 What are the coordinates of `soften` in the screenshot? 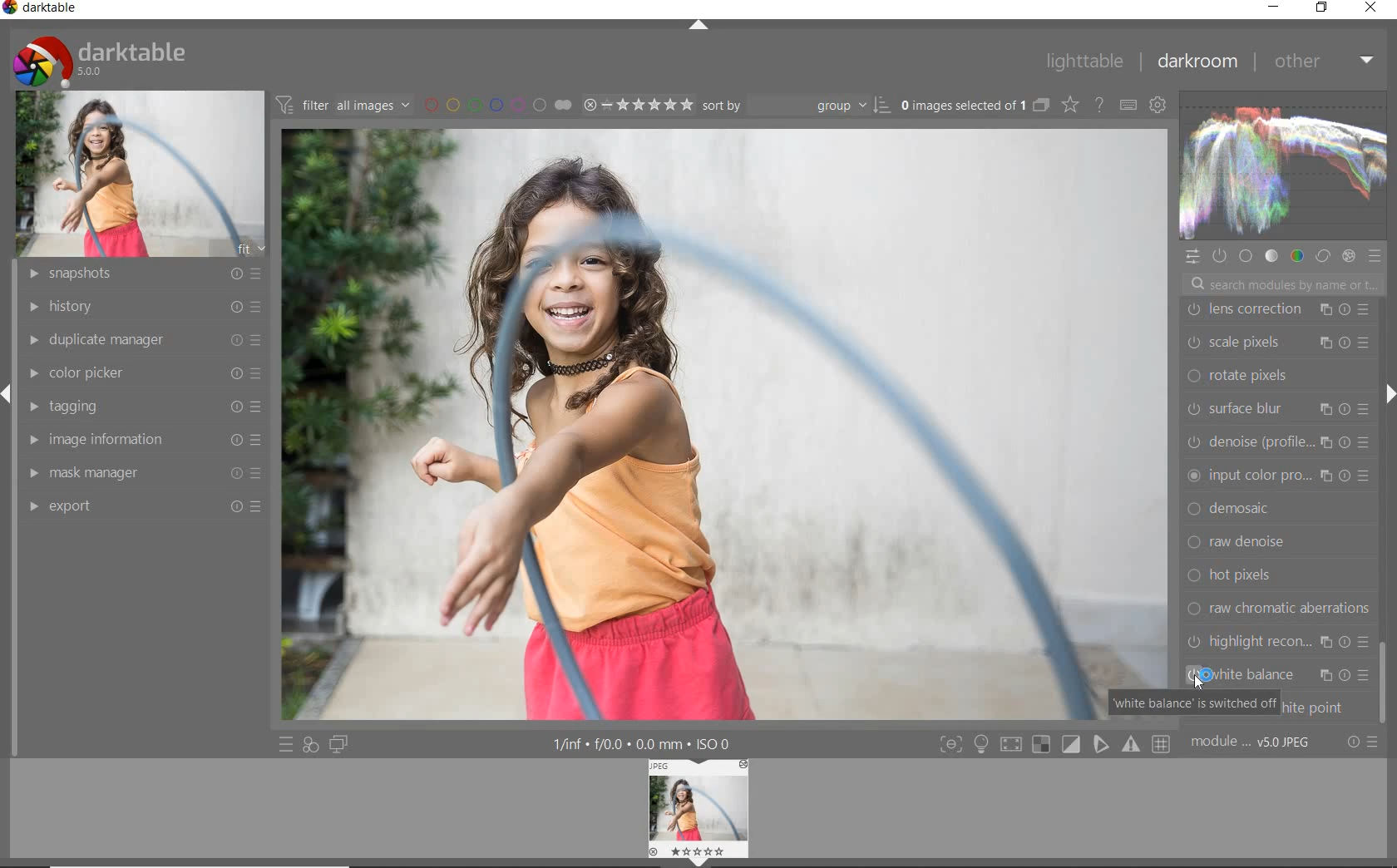 It's located at (1281, 548).